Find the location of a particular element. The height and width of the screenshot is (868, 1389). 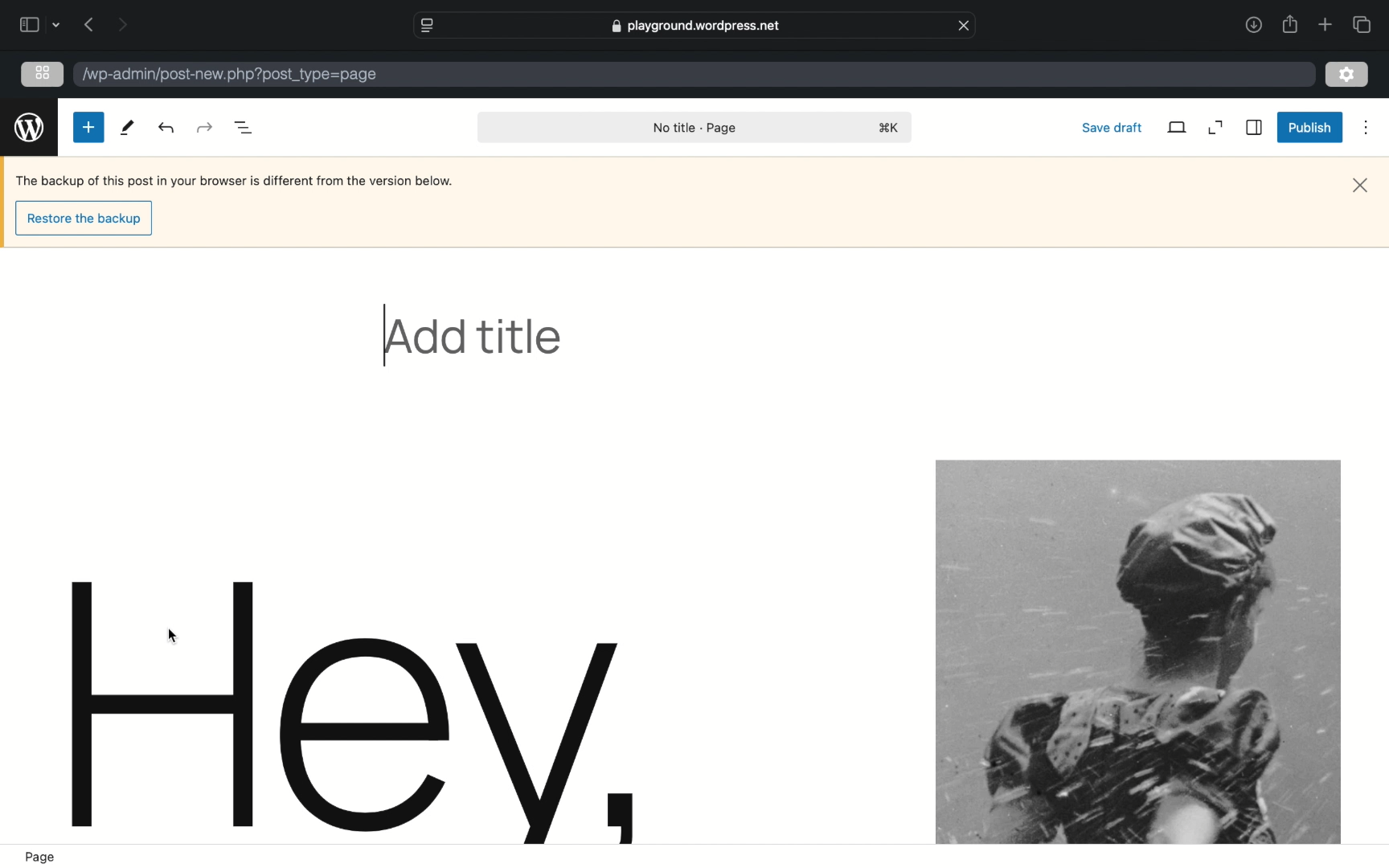

web address is located at coordinates (695, 26).